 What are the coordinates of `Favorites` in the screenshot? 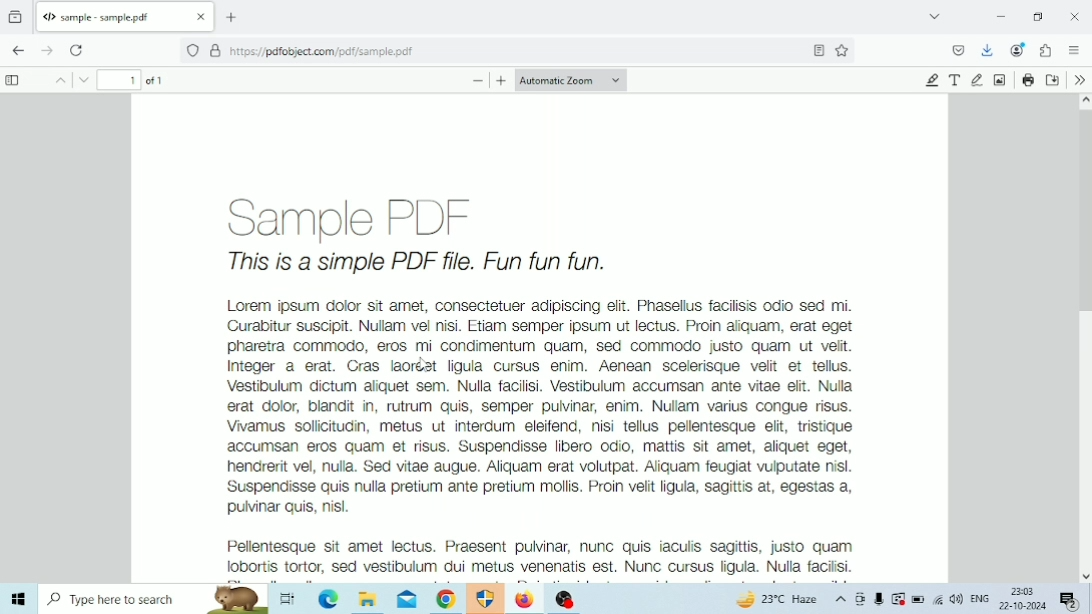 It's located at (842, 50).